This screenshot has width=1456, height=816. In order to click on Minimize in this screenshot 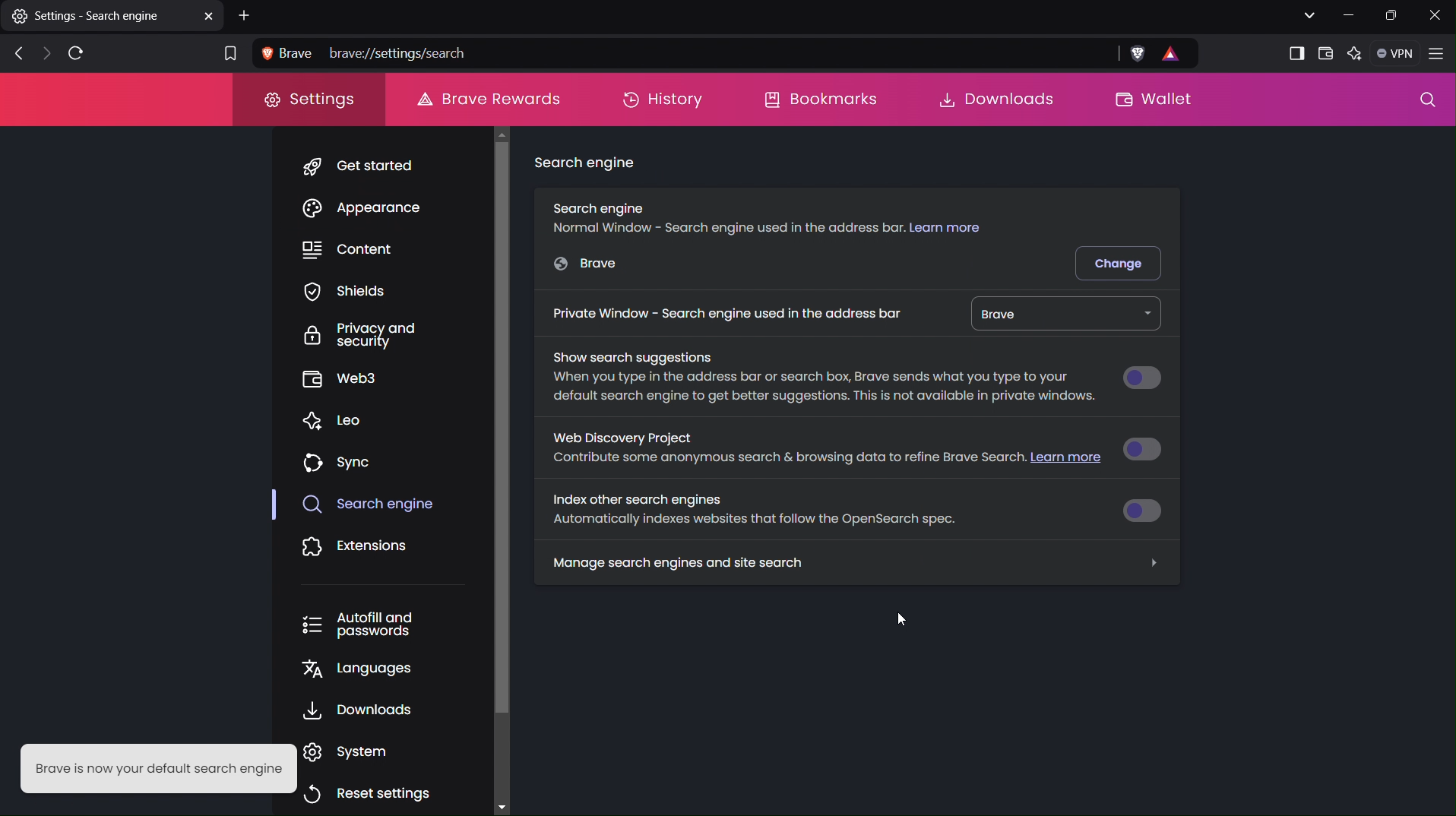, I will do `click(1350, 15)`.